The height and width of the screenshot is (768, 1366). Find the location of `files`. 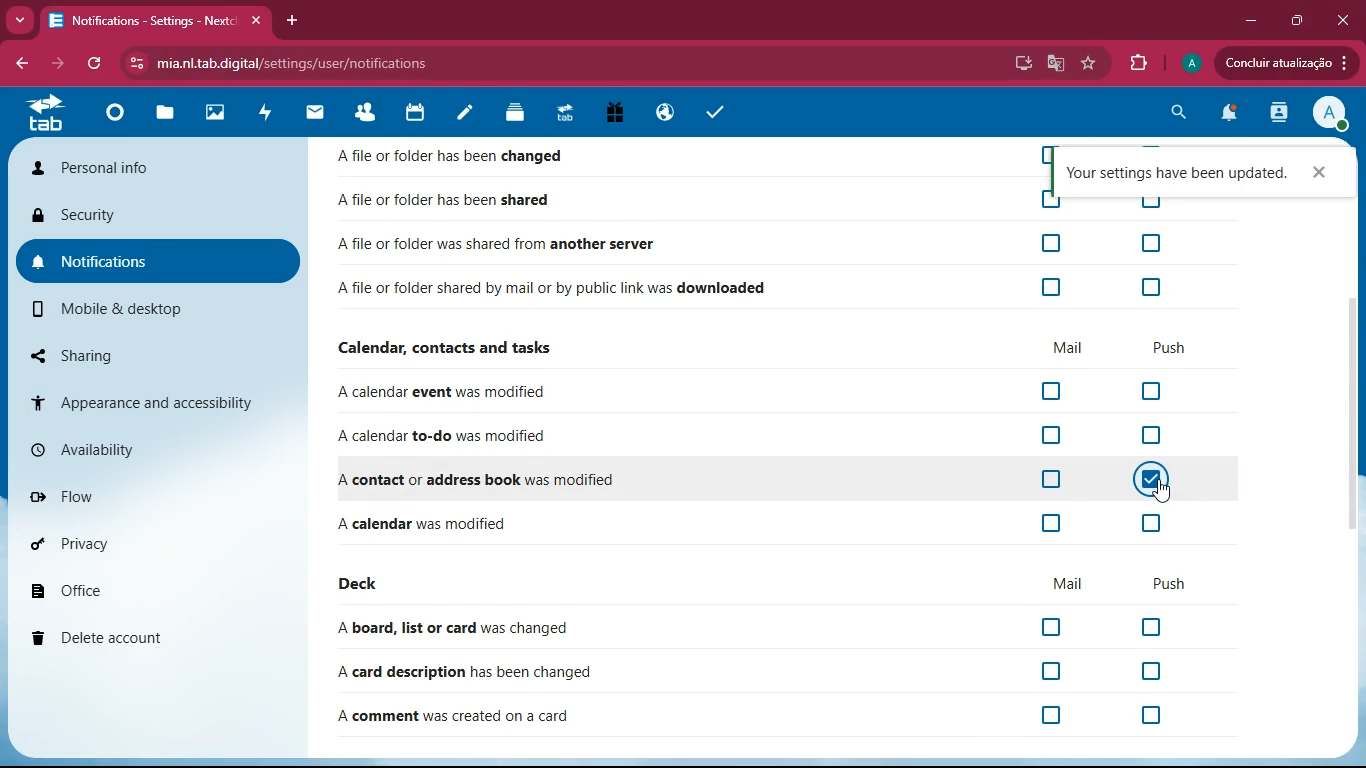

files is located at coordinates (167, 115).